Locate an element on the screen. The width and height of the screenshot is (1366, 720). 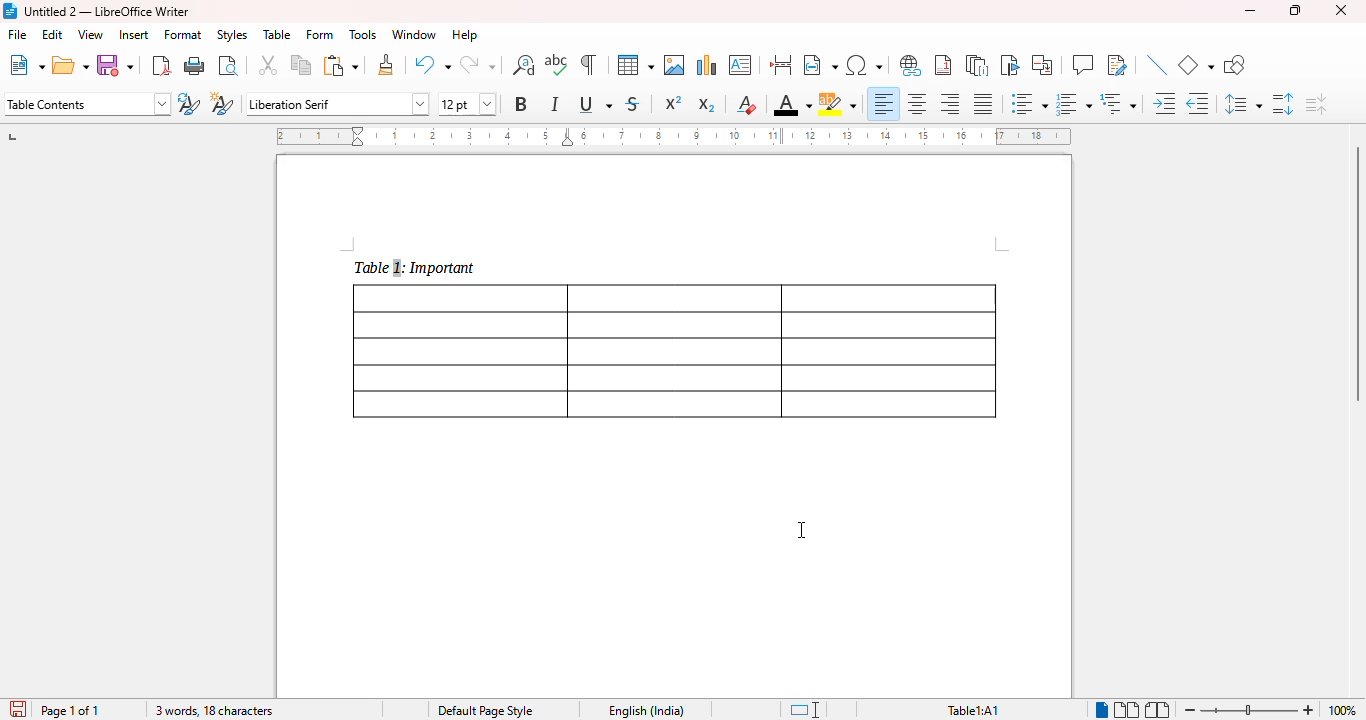
insert cross-reference is located at coordinates (1042, 64).